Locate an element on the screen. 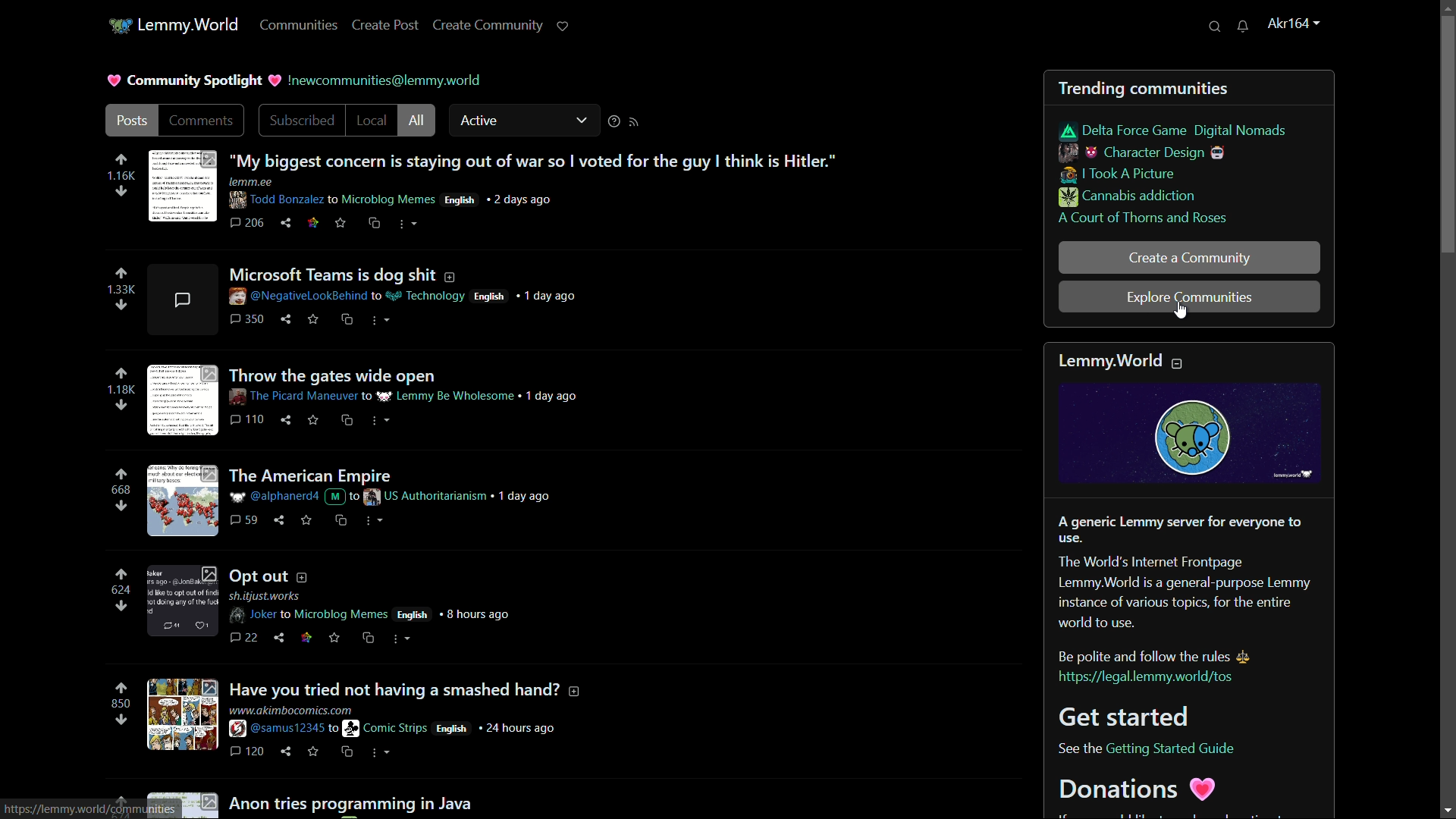  number of votes is located at coordinates (118, 391).